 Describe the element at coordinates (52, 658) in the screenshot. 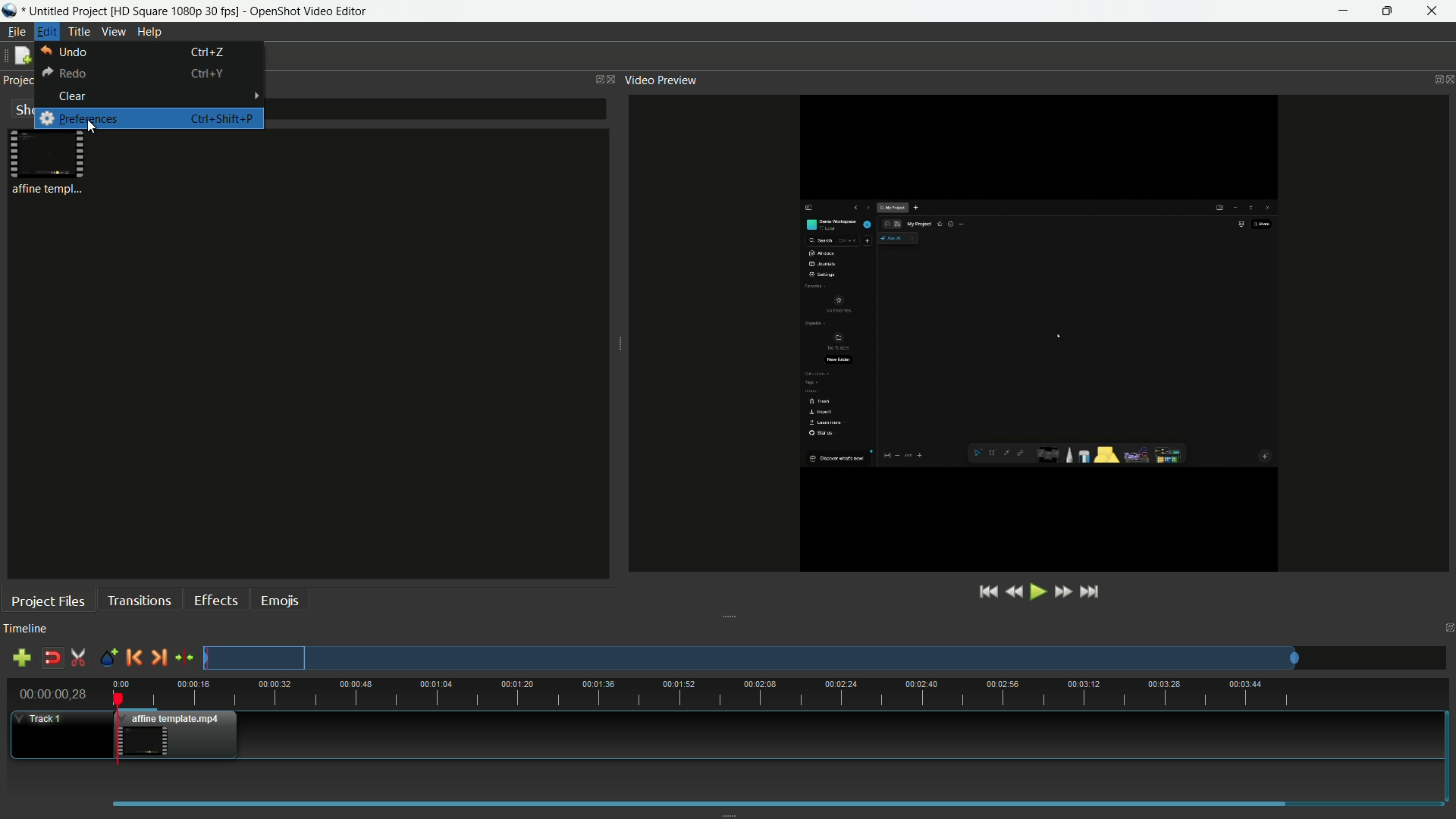

I see `disable snap` at that location.